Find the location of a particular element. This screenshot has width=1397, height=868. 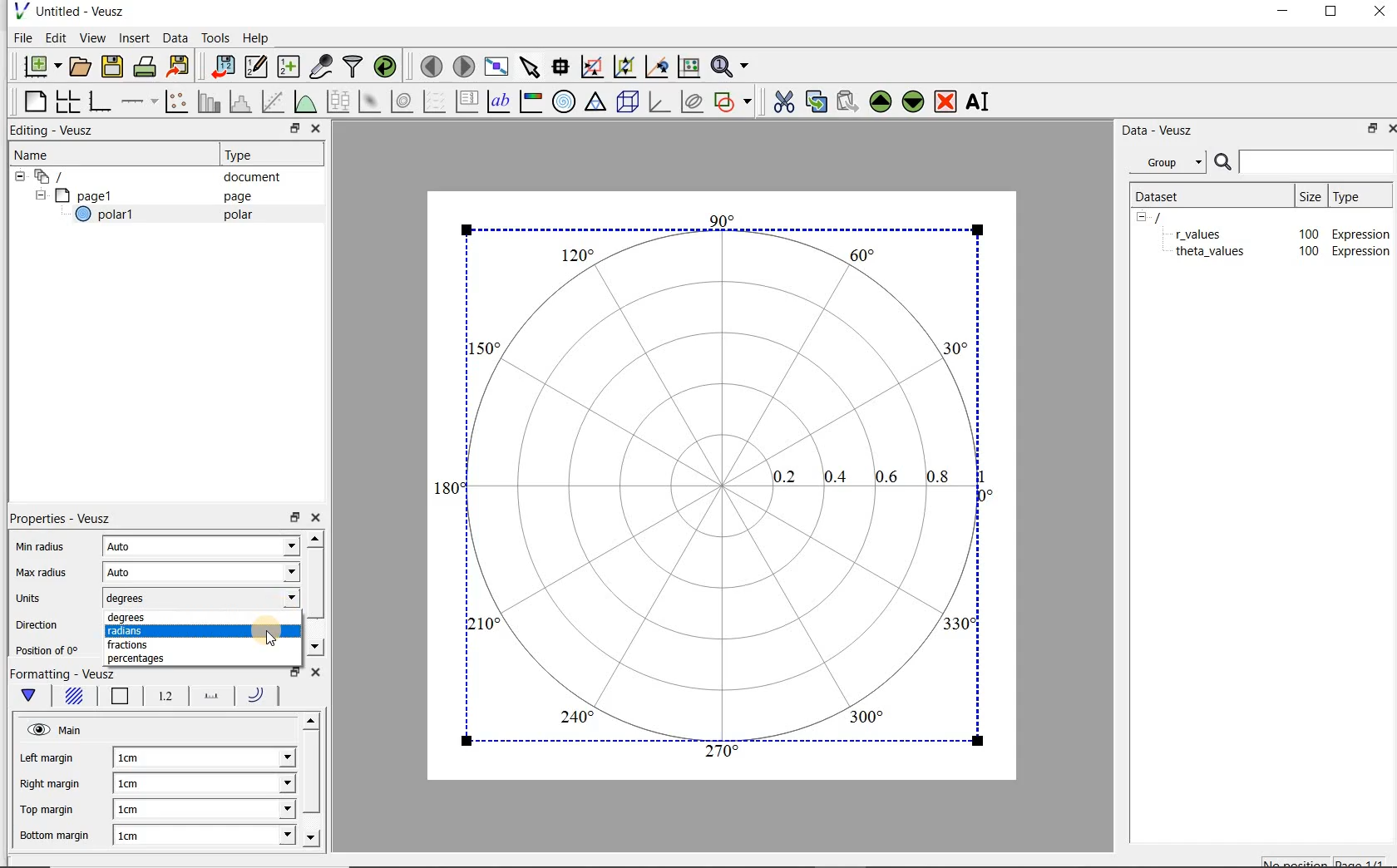

/document name is located at coordinates (1172, 216).